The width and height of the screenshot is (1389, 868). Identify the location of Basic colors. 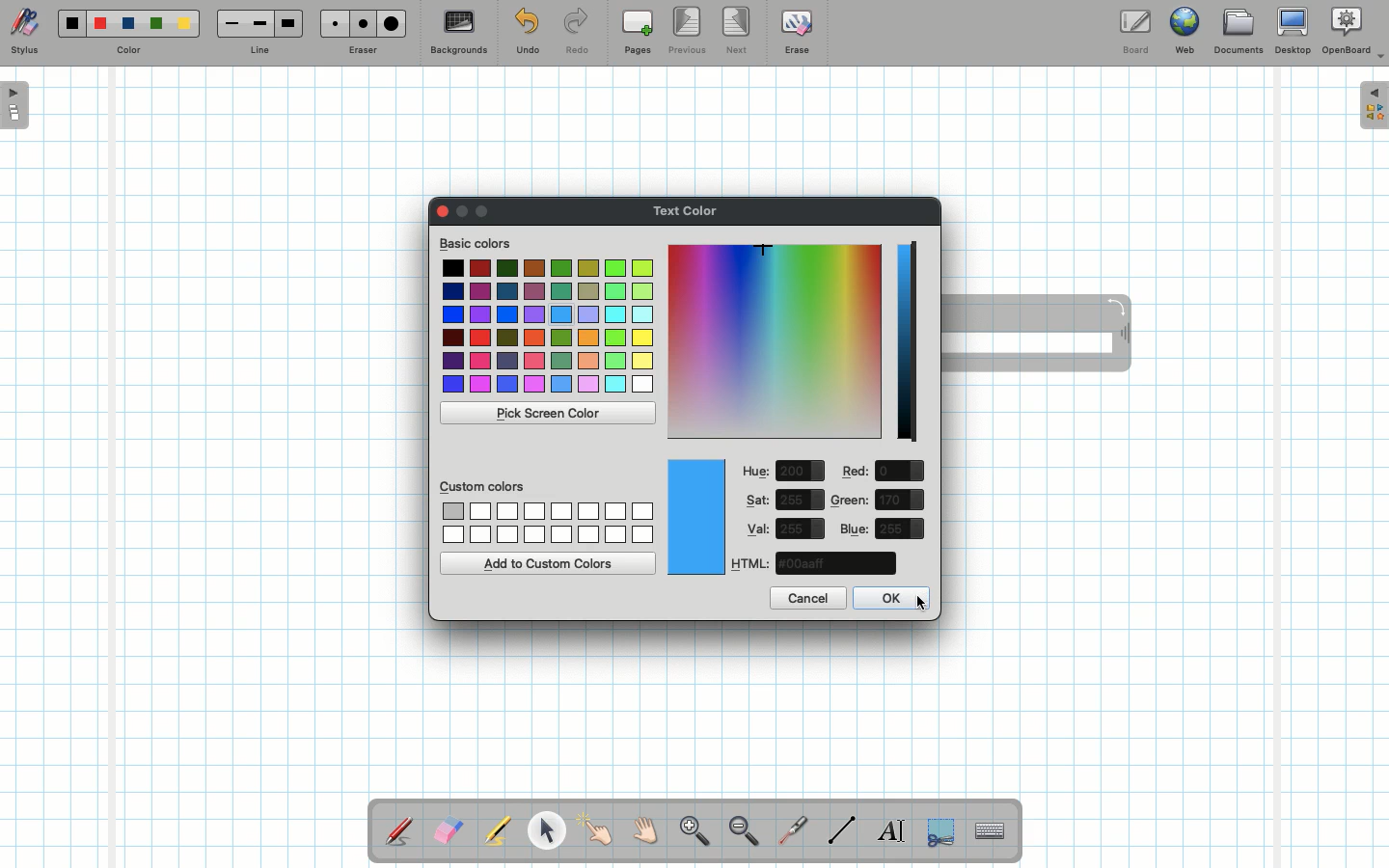
(477, 242).